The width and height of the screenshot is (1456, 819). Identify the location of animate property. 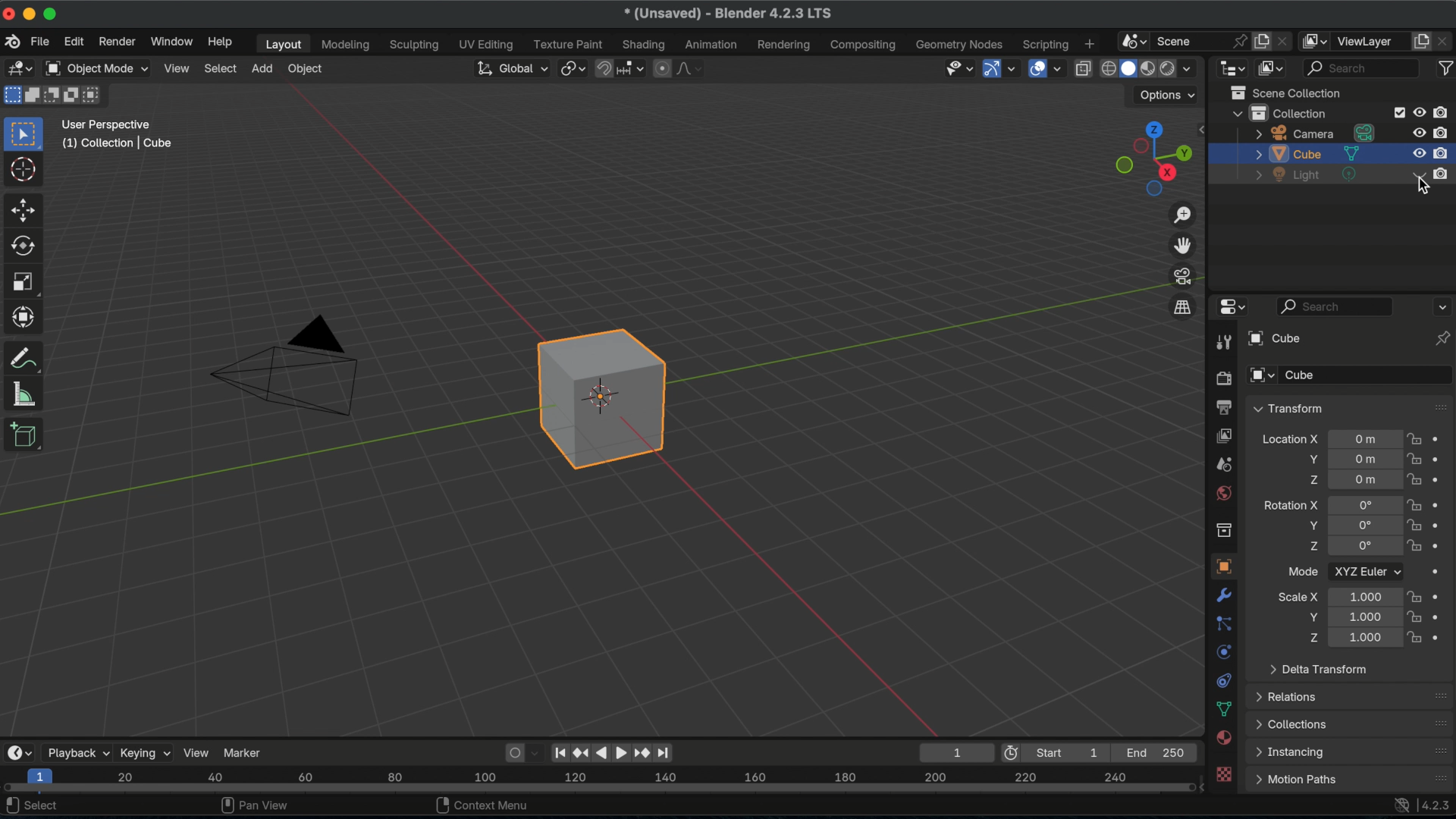
(1442, 616).